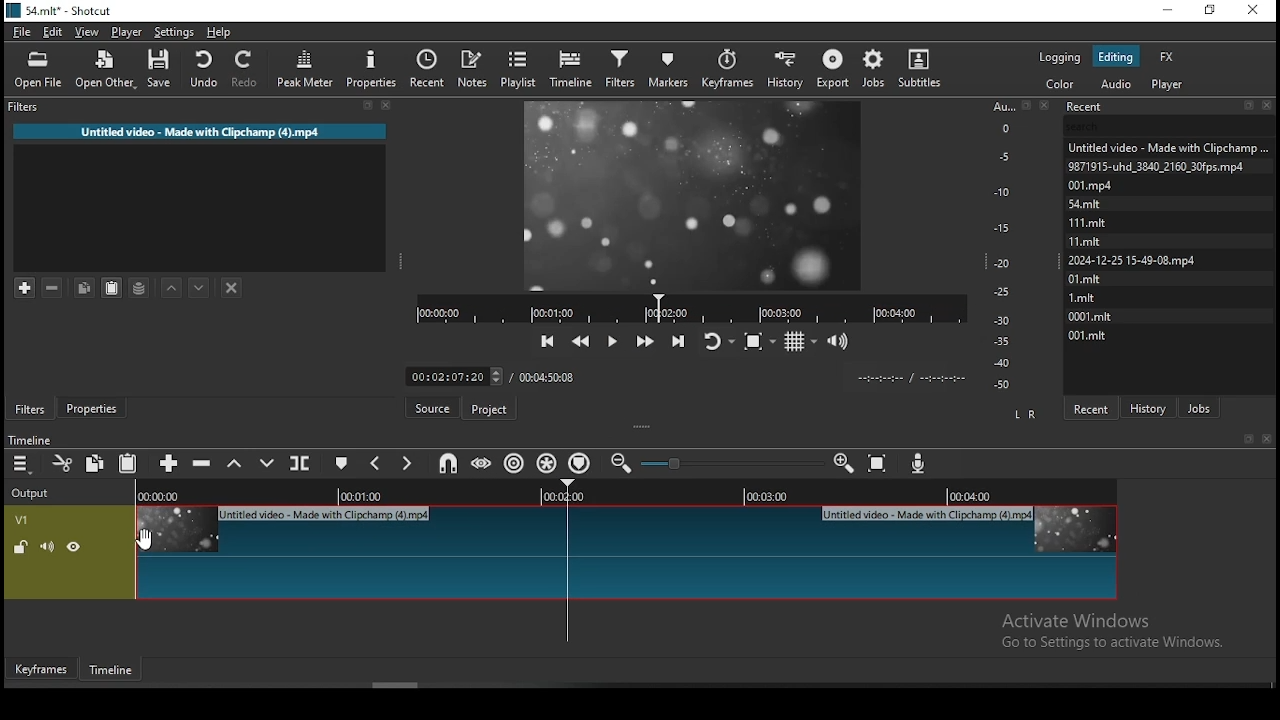  I want to click on lift, so click(232, 464).